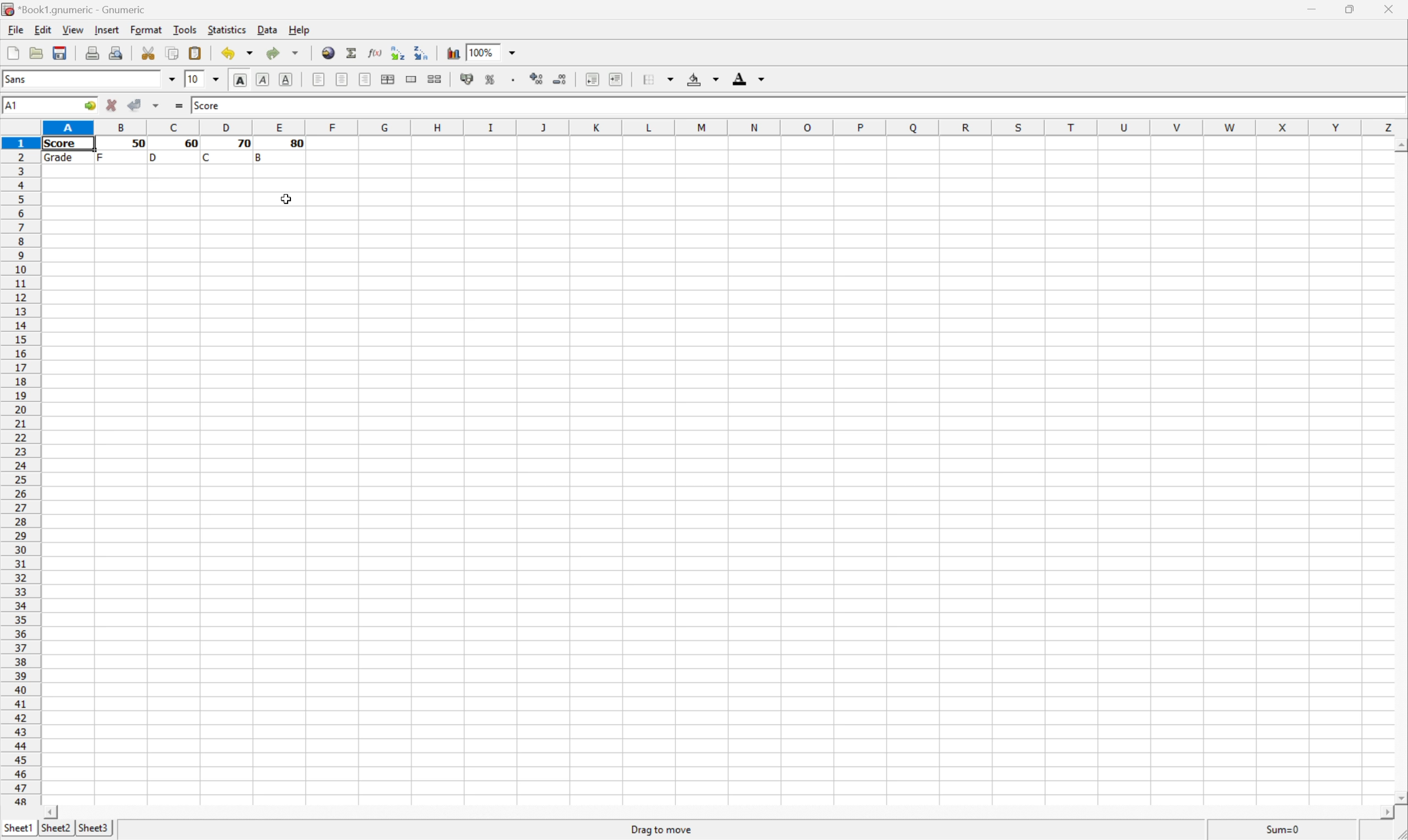  Describe the element at coordinates (62, 50) in the screenshot. I see `Save a workbook` at that location.